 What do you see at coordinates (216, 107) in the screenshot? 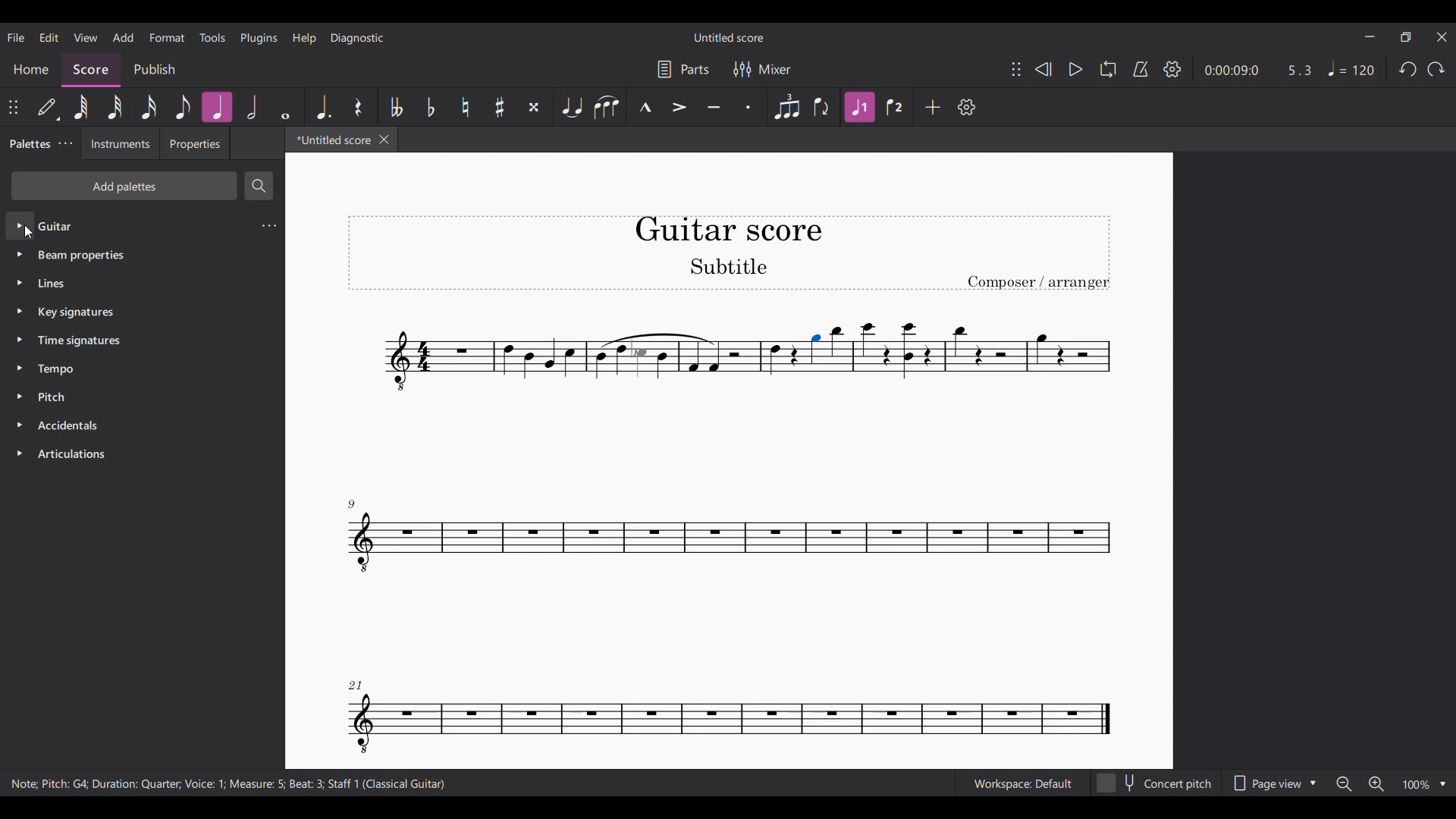
I see `Quarter note highlighted after current selection` at bounding box center [216, 107].